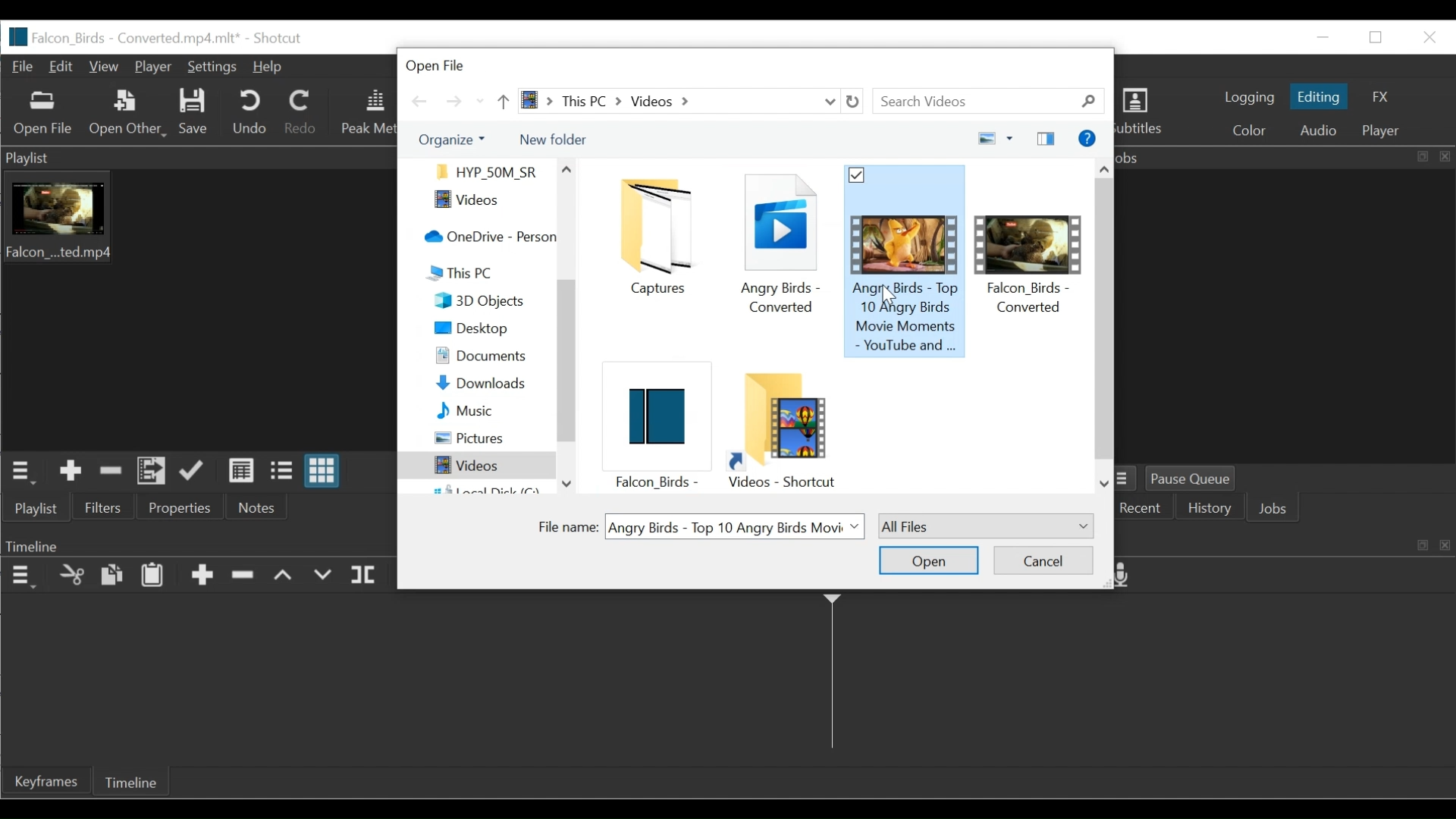  I want to click on player, so click(1385, 132).